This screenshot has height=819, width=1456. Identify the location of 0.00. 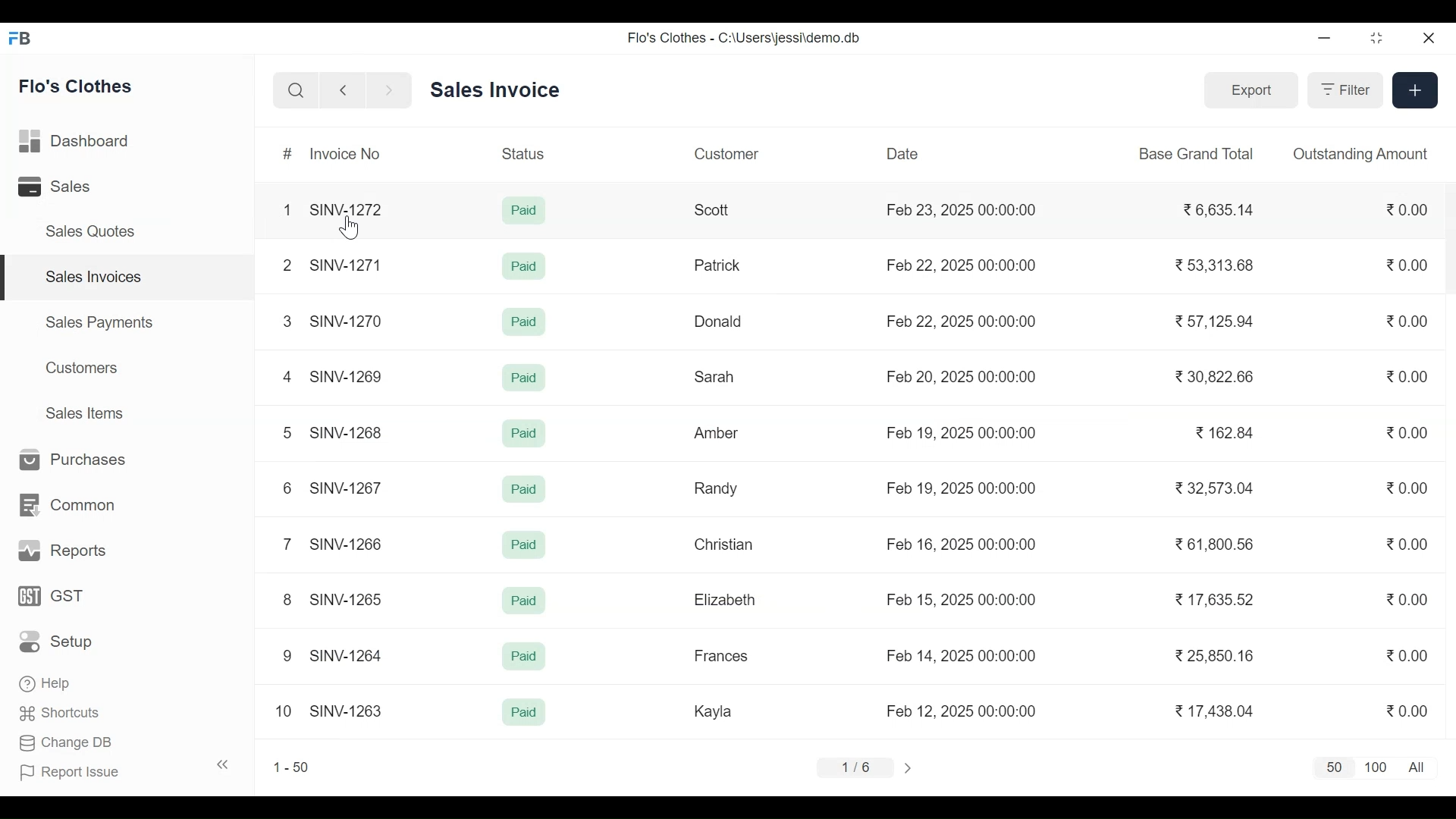
(1408, 711).